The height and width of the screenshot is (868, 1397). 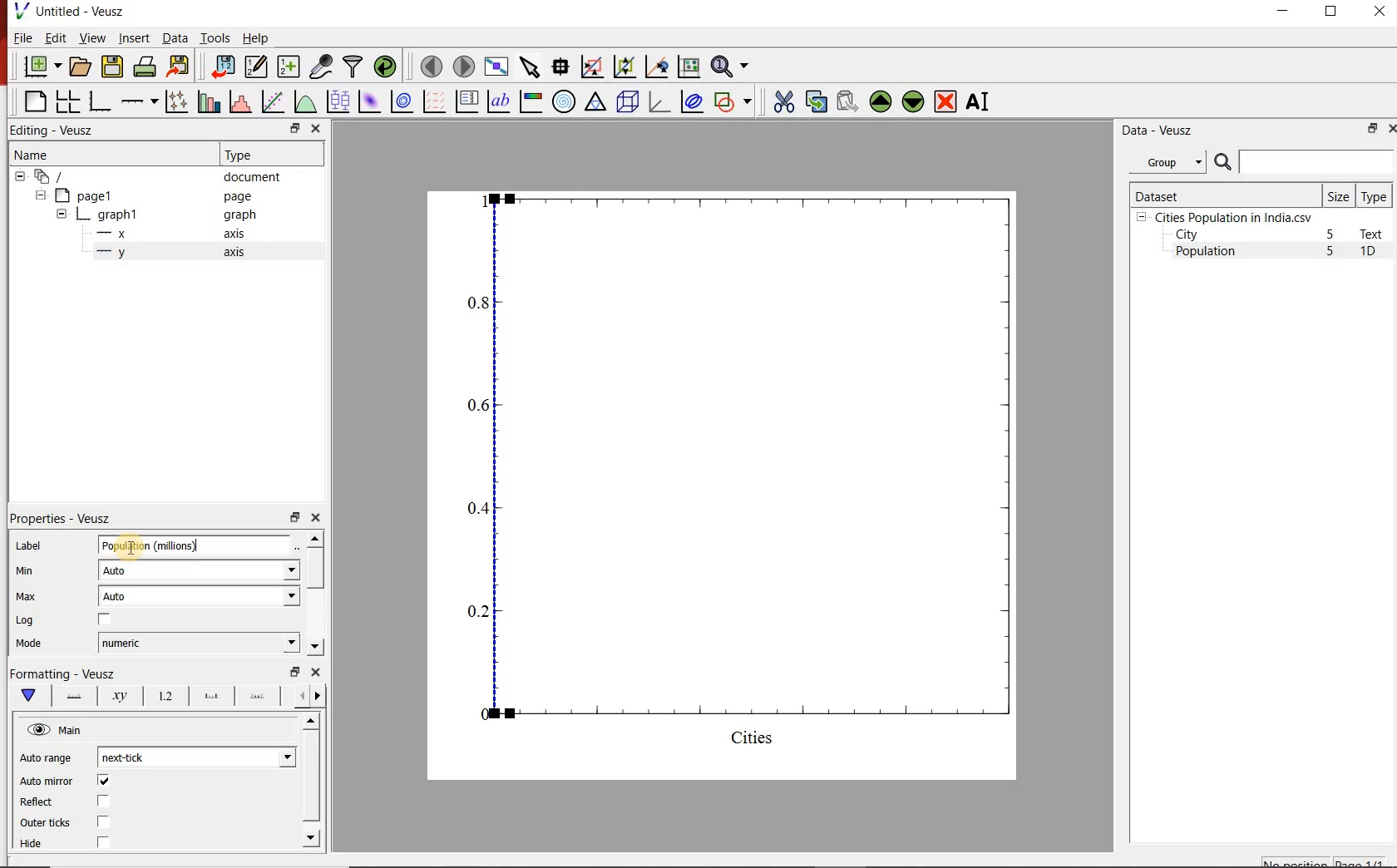 I want to click on RESTORE, so click(x=1331, y=12).